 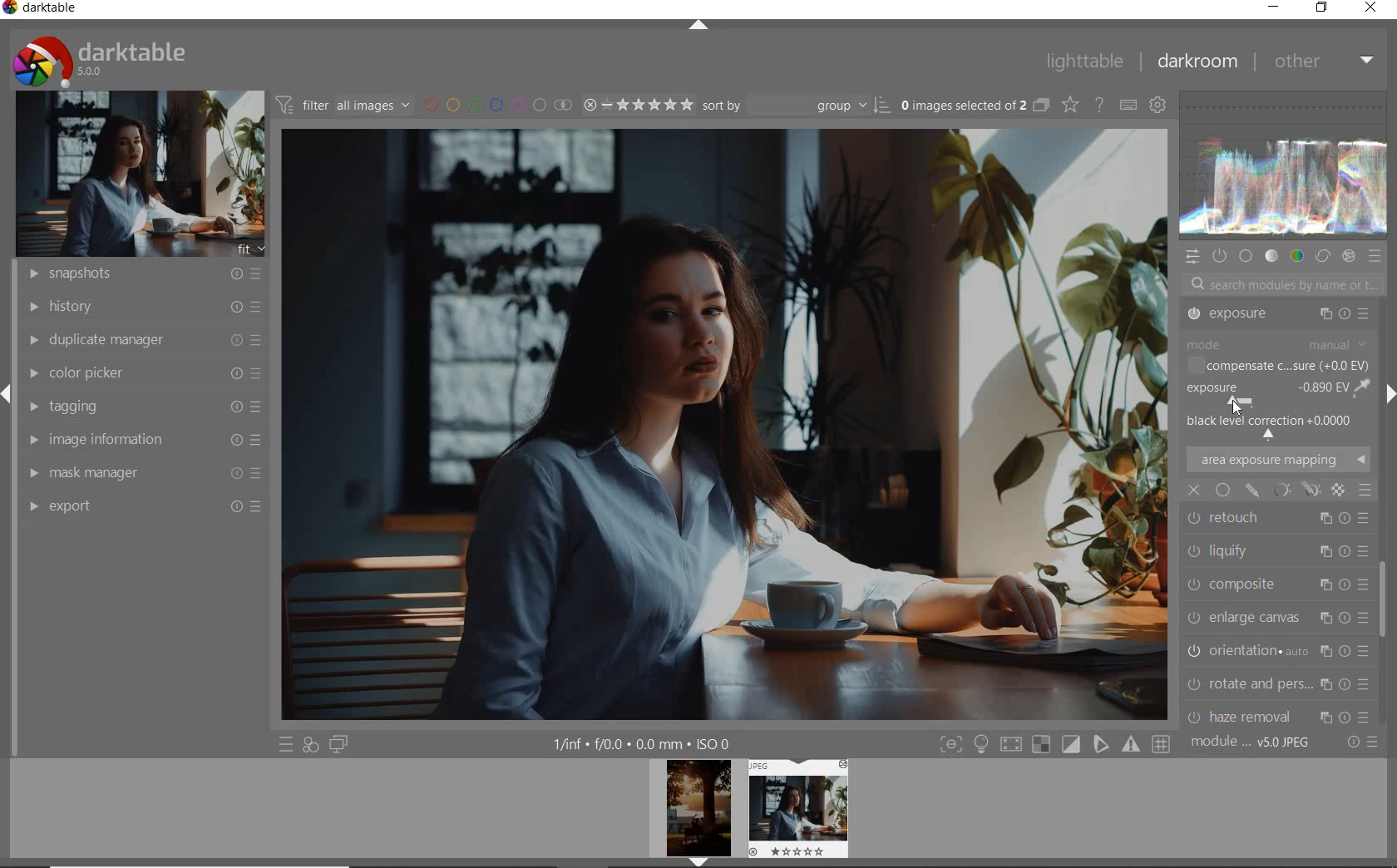 What do you see at coordinates (1246, 257) in the screenshot?
I see `BASE` at bounding box center [1246, 257].